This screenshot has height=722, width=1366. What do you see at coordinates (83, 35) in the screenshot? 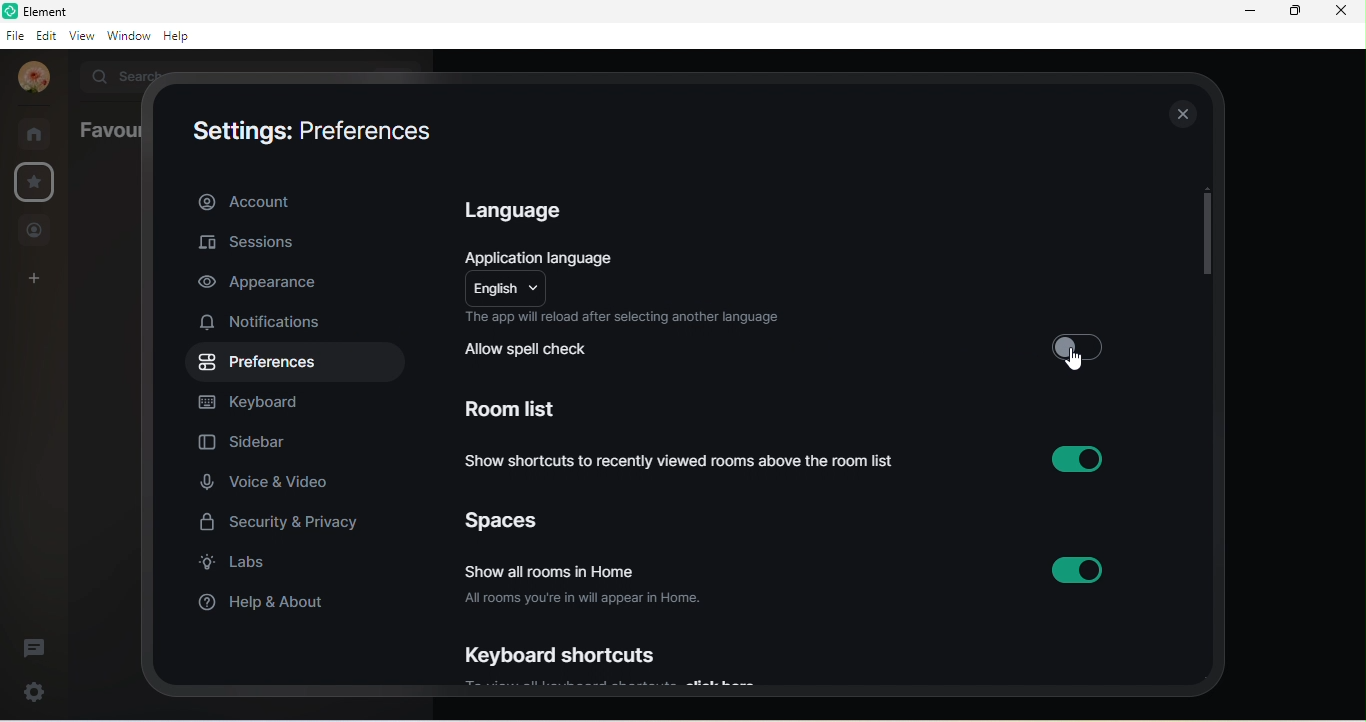
I see `view` at bounding box center [83, 35].